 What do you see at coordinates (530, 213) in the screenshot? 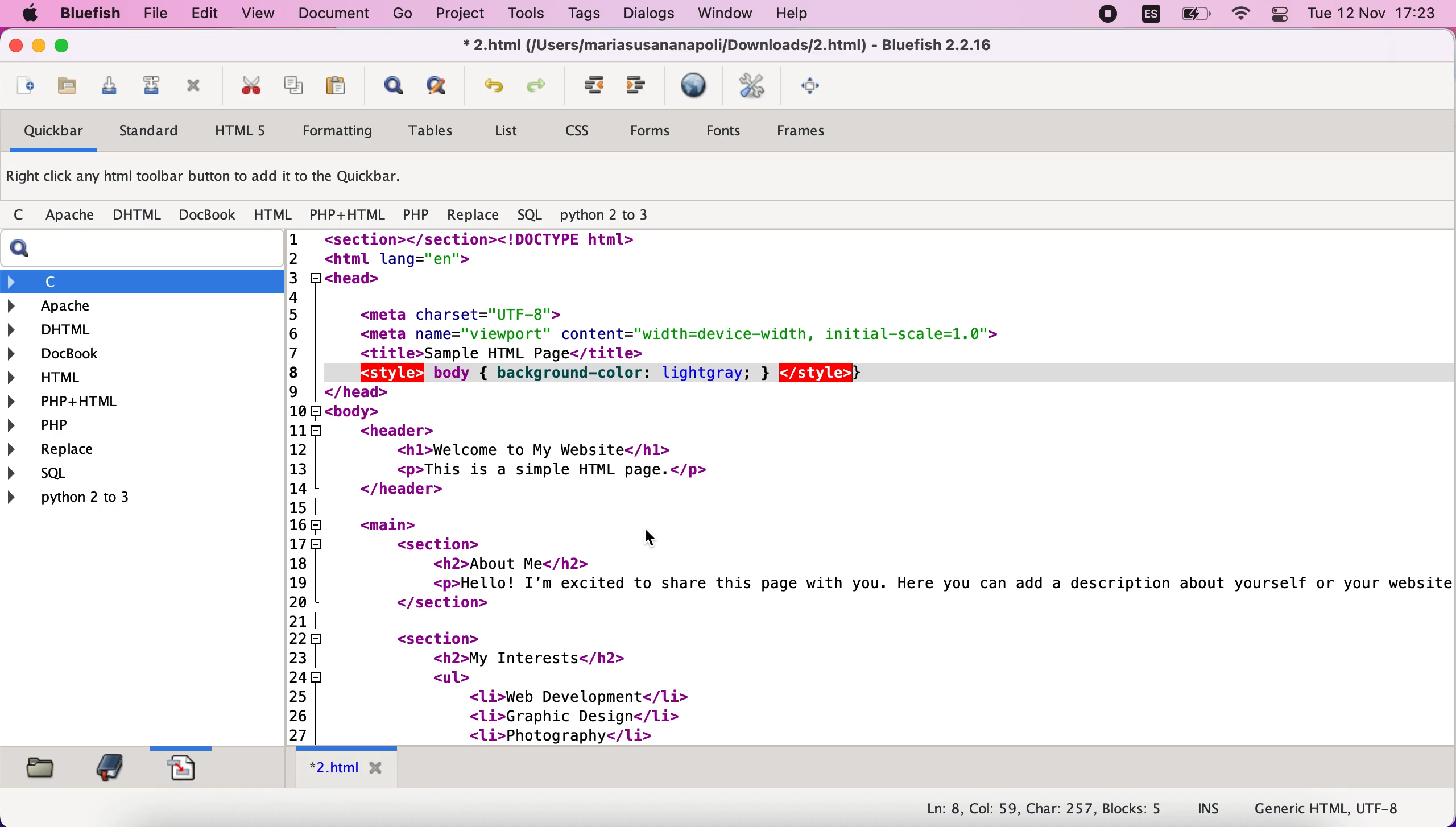
I see `sql` at bounding box center [530, 213].